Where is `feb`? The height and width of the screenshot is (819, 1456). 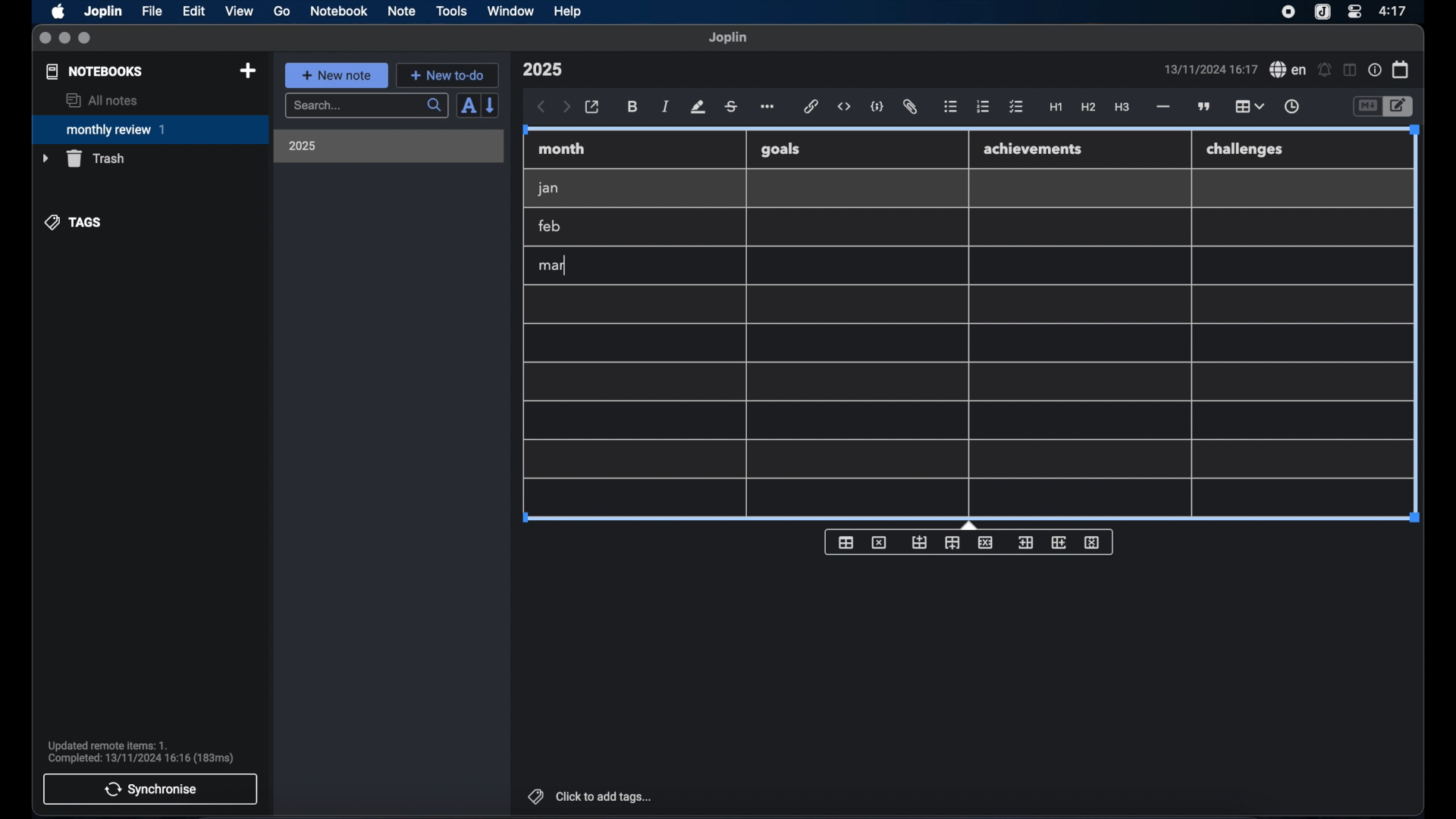 feb is located at coordinates (551, 226).